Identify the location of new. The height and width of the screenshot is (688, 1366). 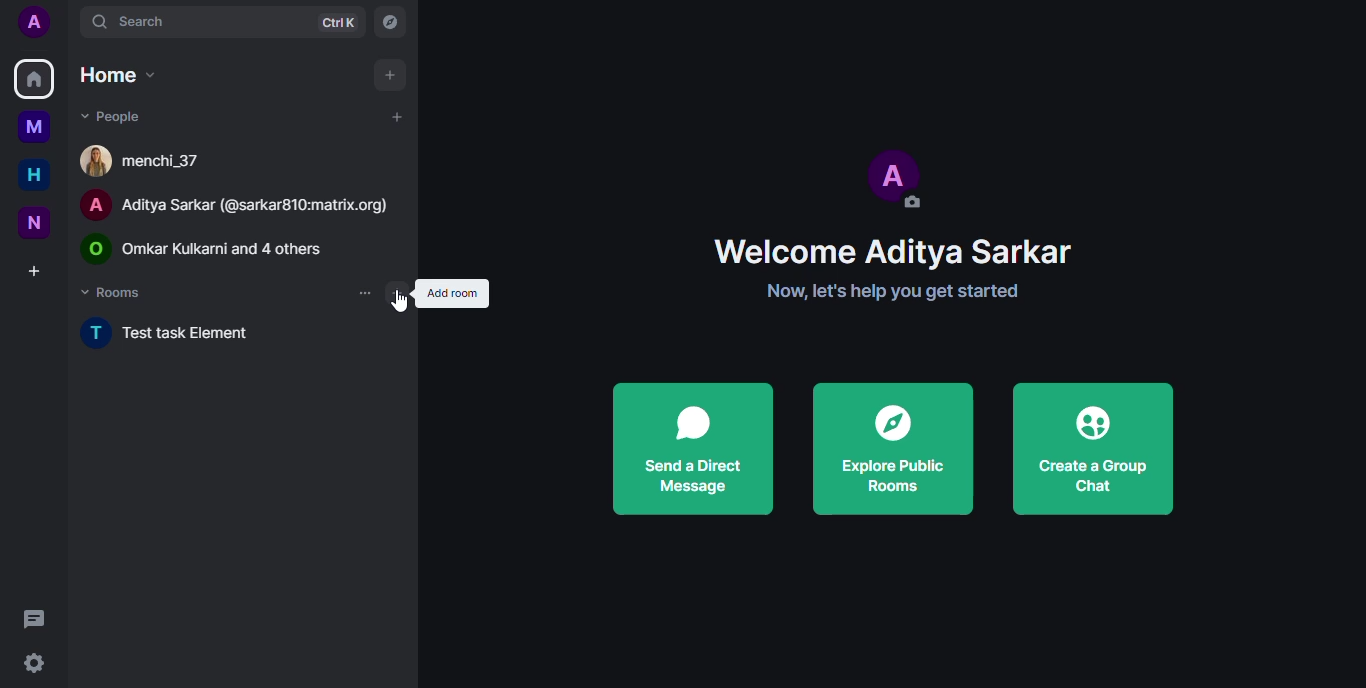
(31, 221).